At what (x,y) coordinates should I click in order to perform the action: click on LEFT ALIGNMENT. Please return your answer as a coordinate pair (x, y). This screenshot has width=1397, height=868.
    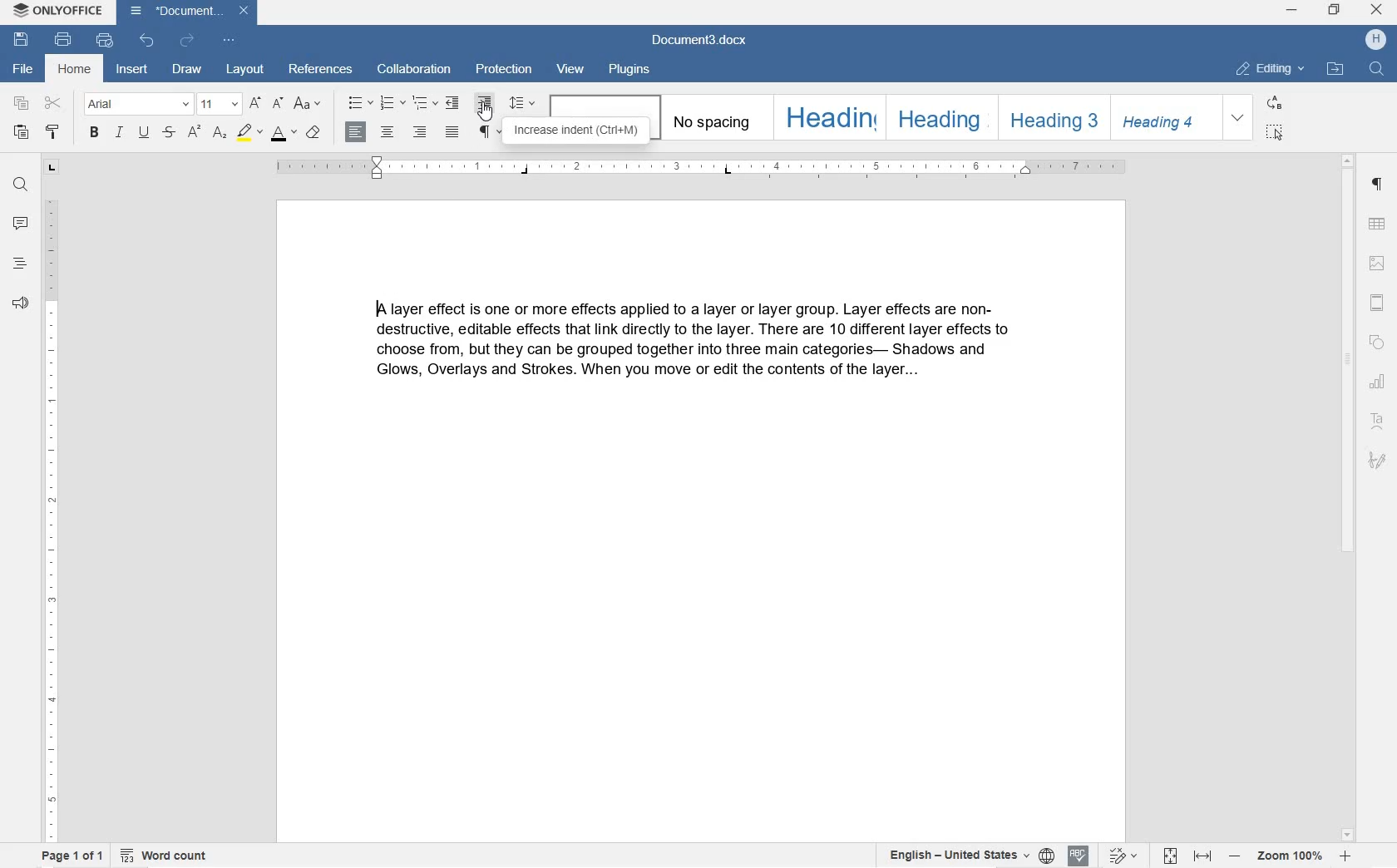
    Looking at the image, I should click on (356, 133).